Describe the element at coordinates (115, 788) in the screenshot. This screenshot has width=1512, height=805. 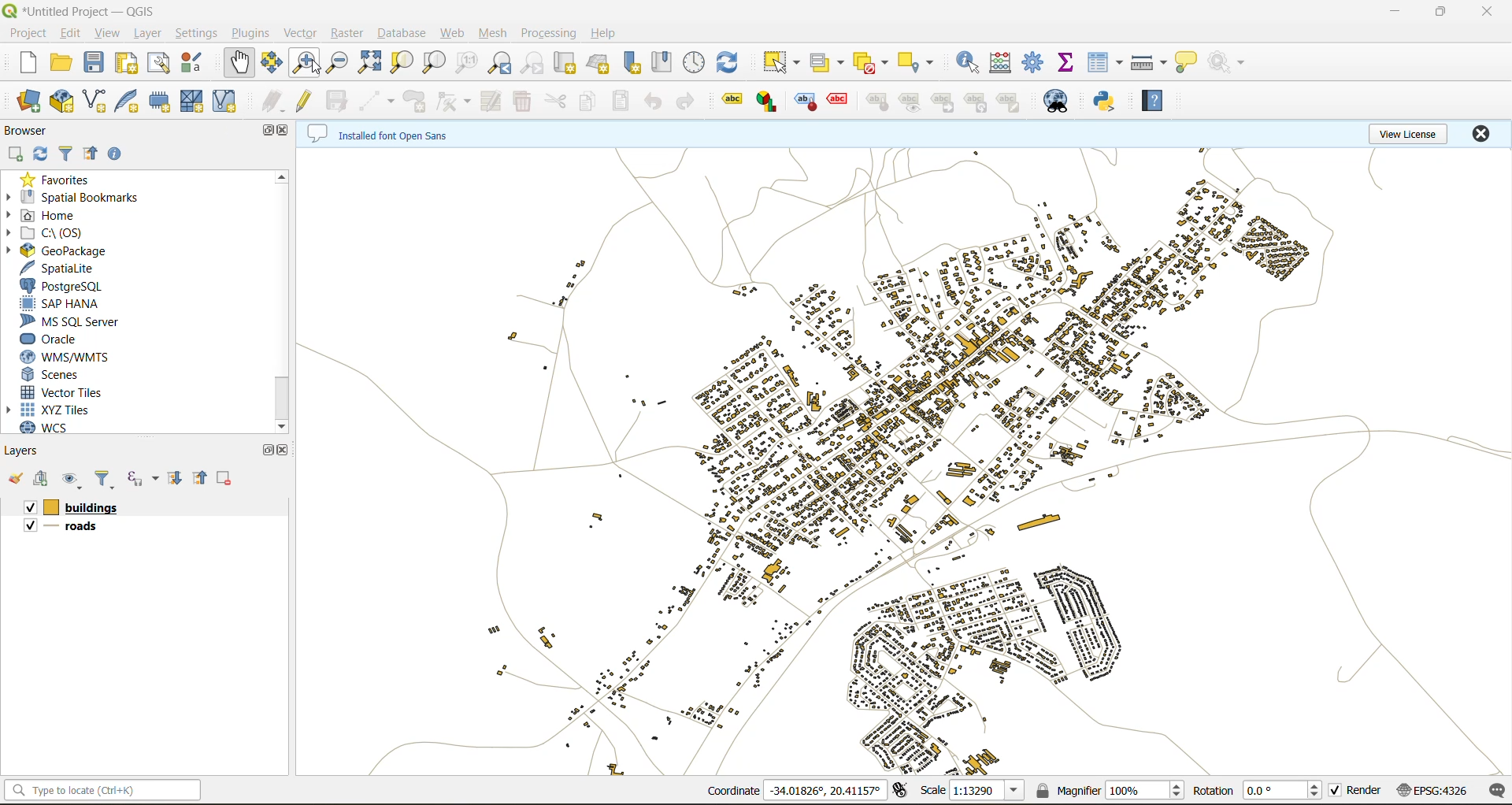
I see `status bar` at that location.